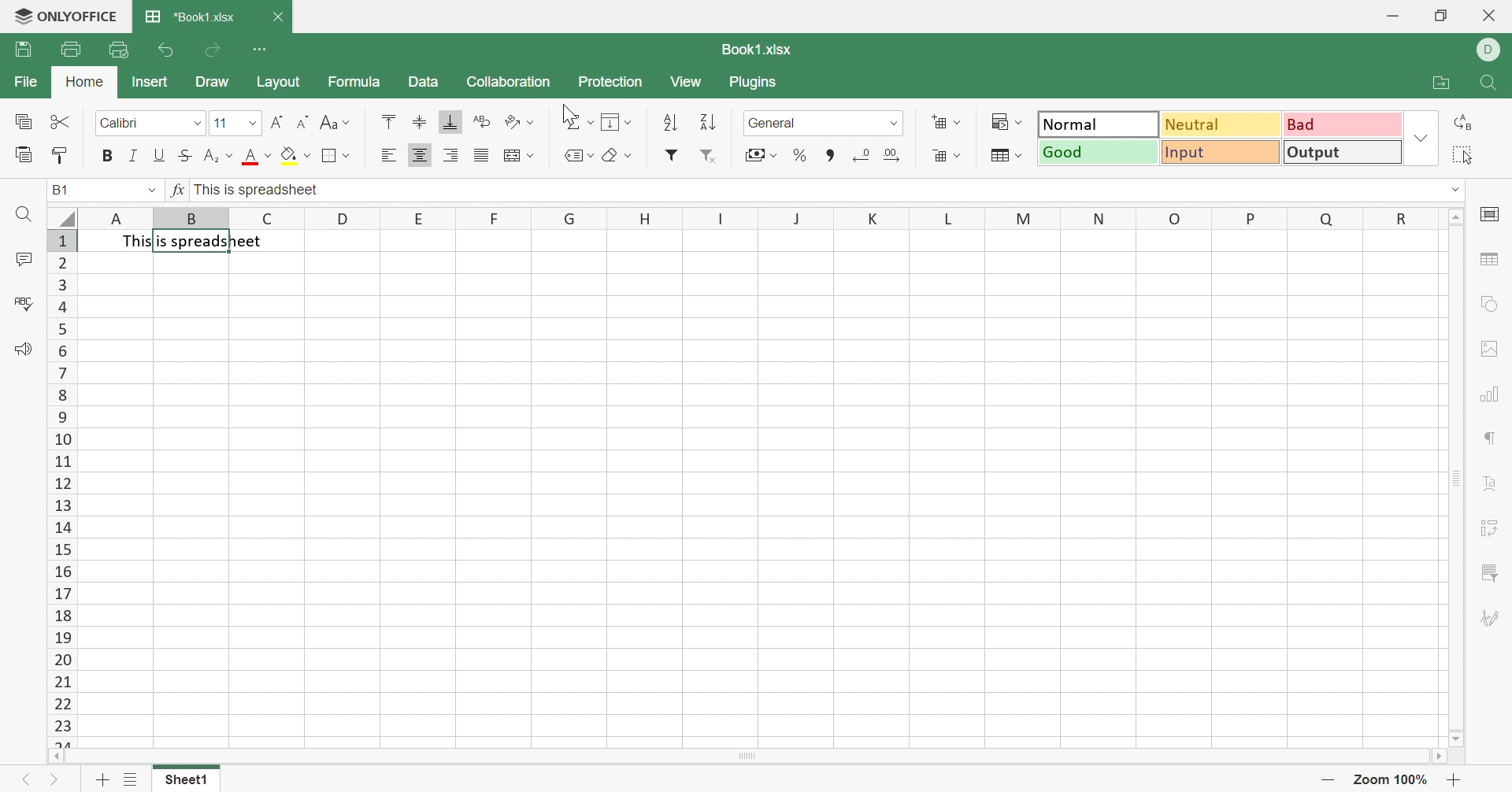 Image resolution: width=1512 pixels, height=792 pixels. Describe the element at coordinates (1389, 779) in the screenshot. I see `Zoom 100%` at that location.